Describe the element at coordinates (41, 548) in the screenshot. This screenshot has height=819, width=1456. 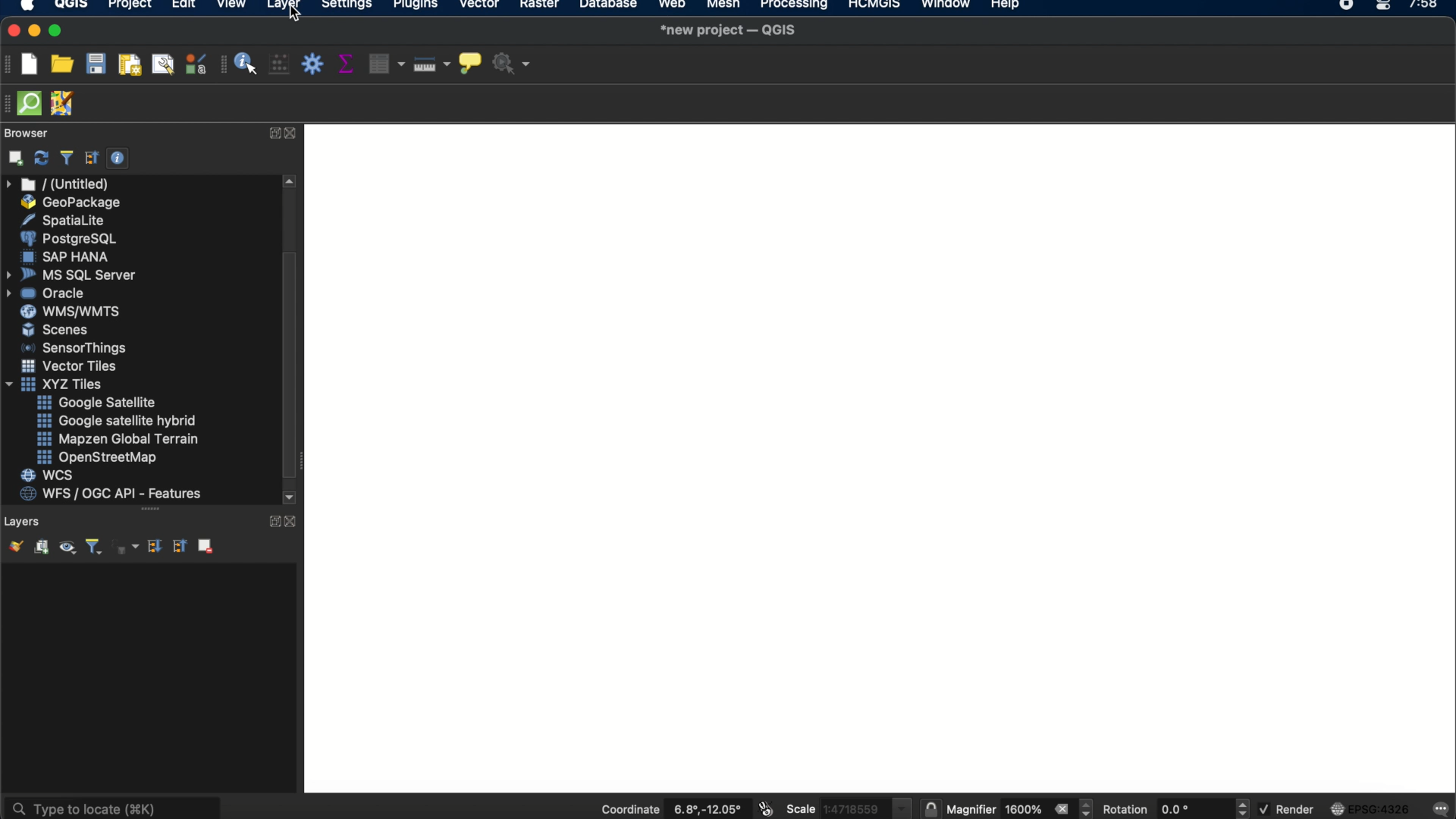
I see `add group` at that location.